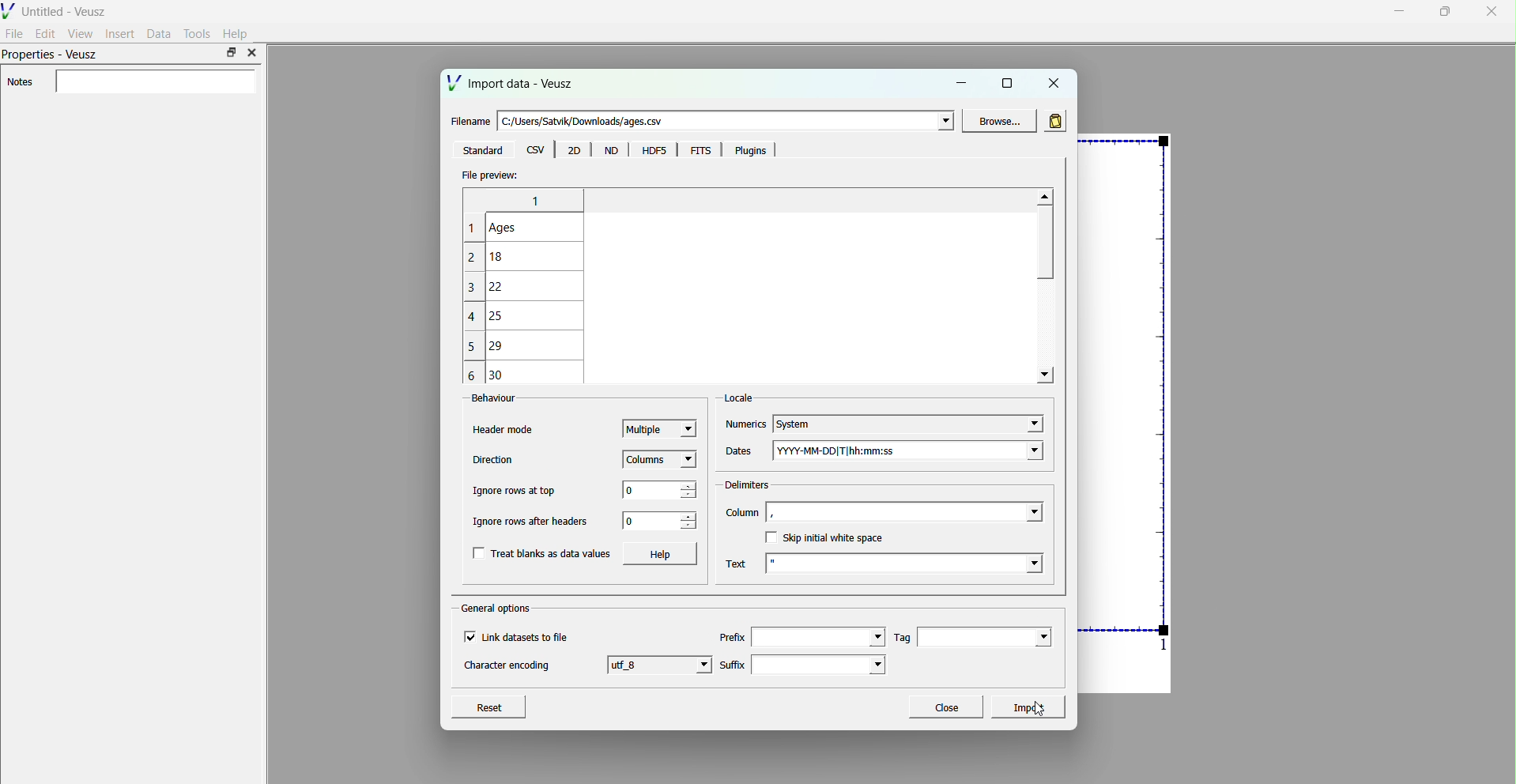  What do you see at coordinates (816, 637) in the screenshot?
I see `prefilx field` at bounding box center [816, 637].